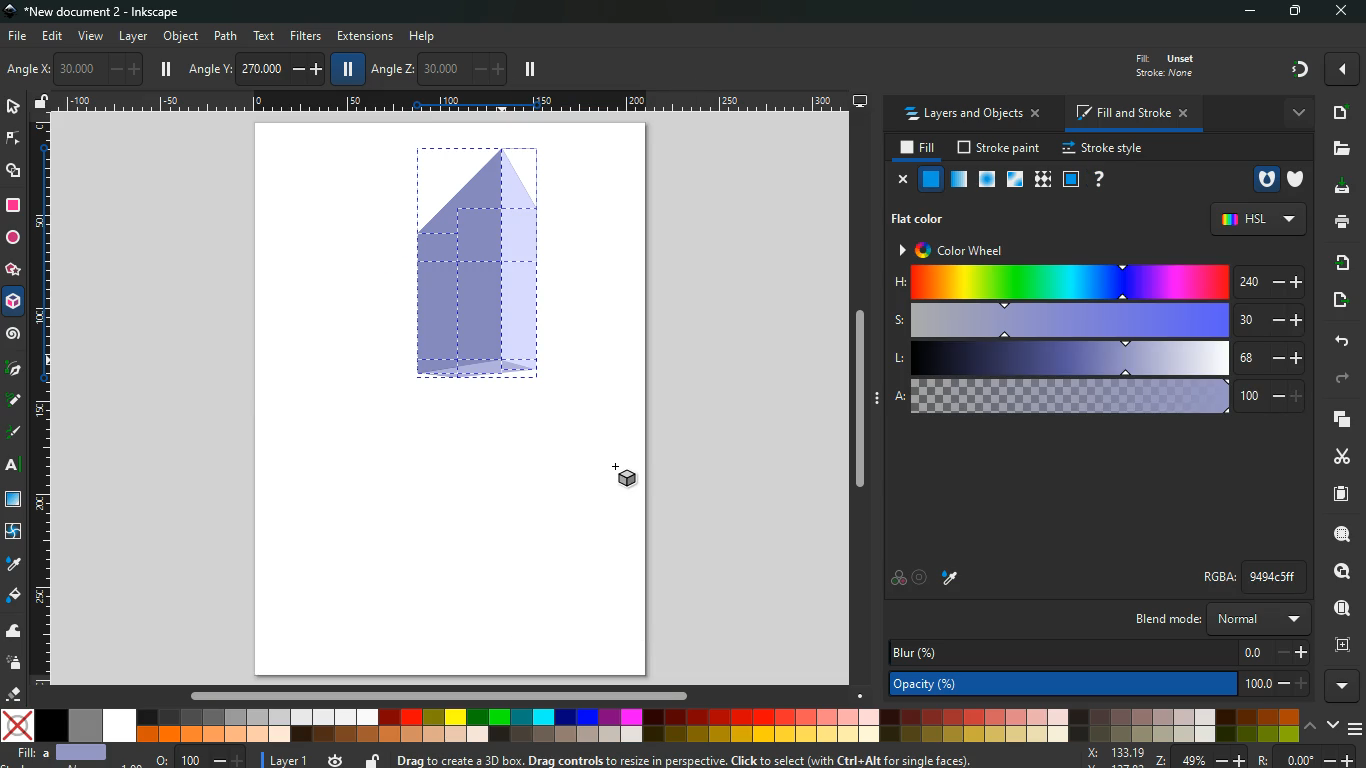 The width and height of the screenshot is (1366, 768). I want to click on Spiral, so click(16, 335).